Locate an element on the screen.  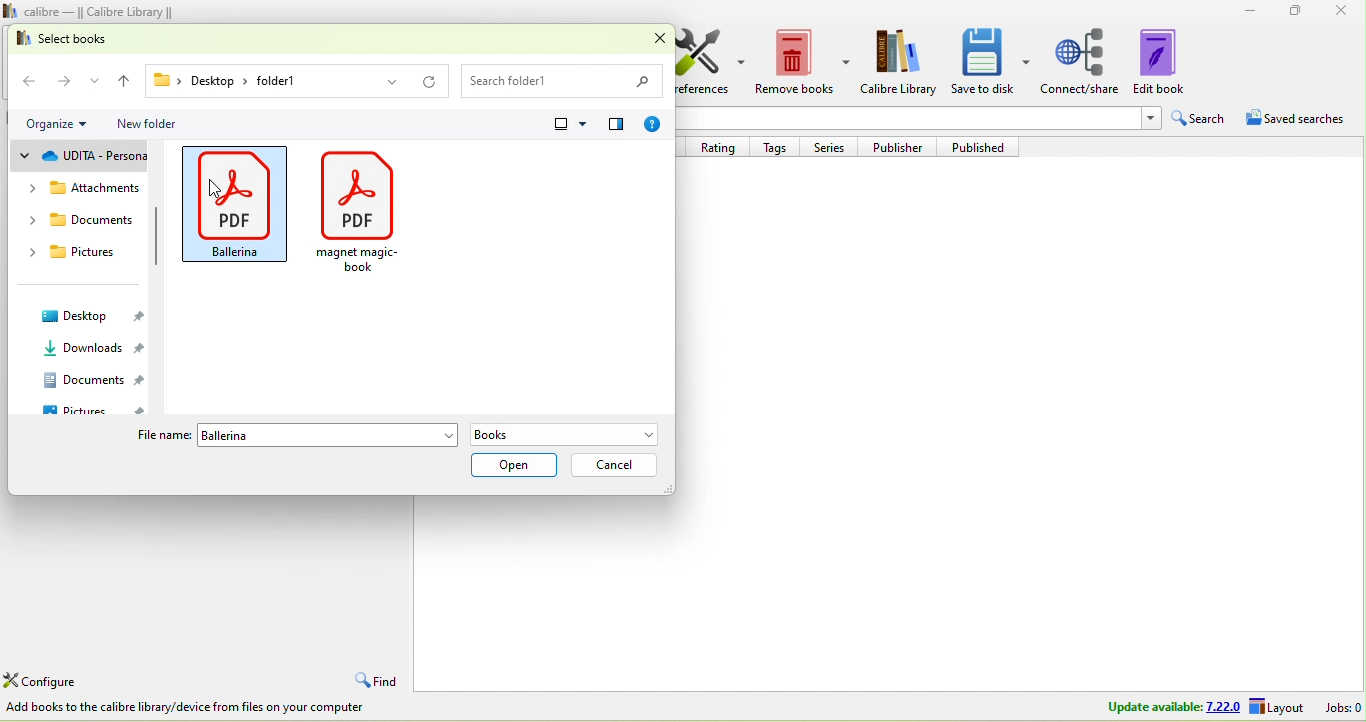
attachments is located at coordinates (85, 186).